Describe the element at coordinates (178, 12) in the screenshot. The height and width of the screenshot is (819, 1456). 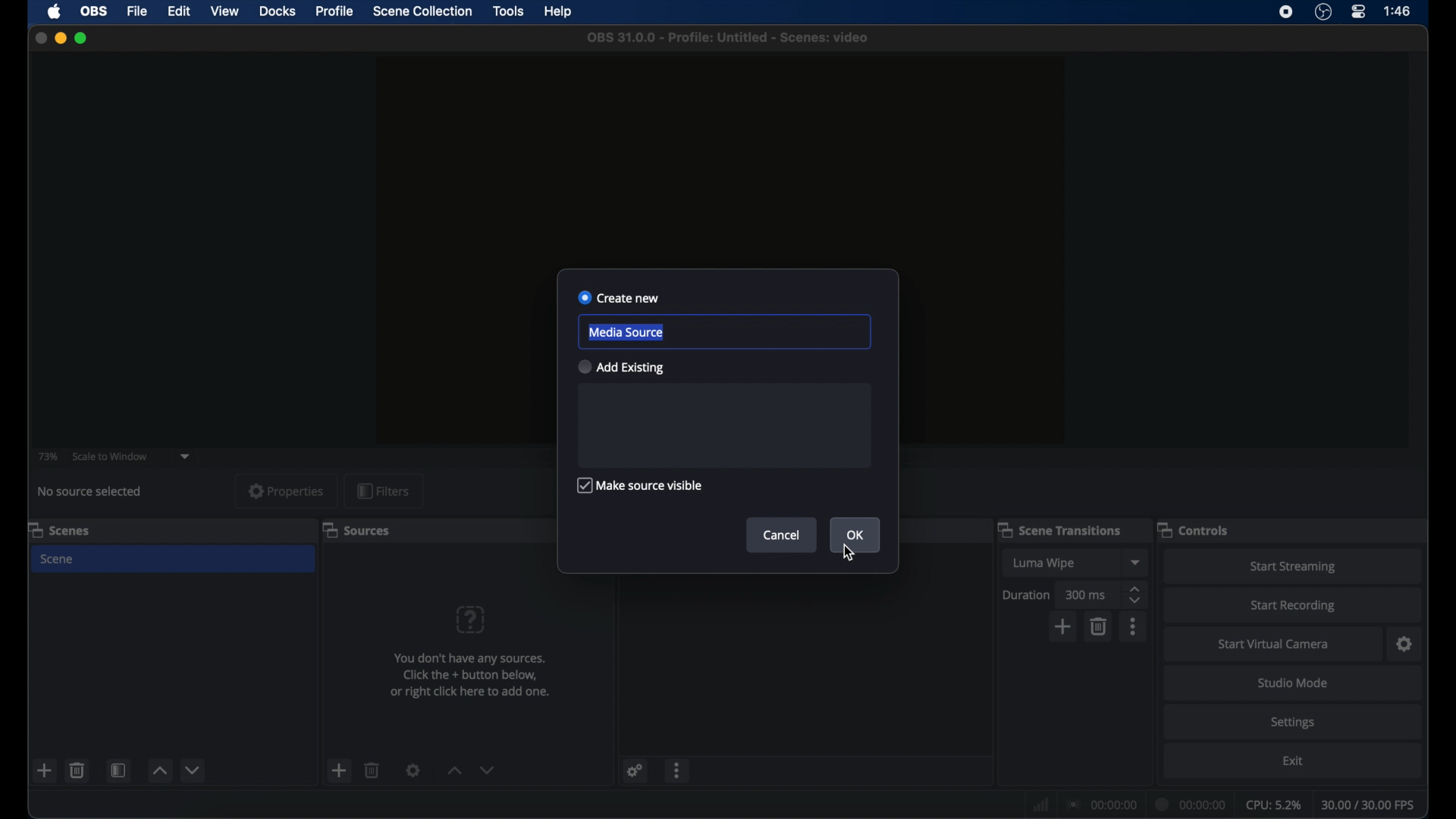
I see `edit` at that location.